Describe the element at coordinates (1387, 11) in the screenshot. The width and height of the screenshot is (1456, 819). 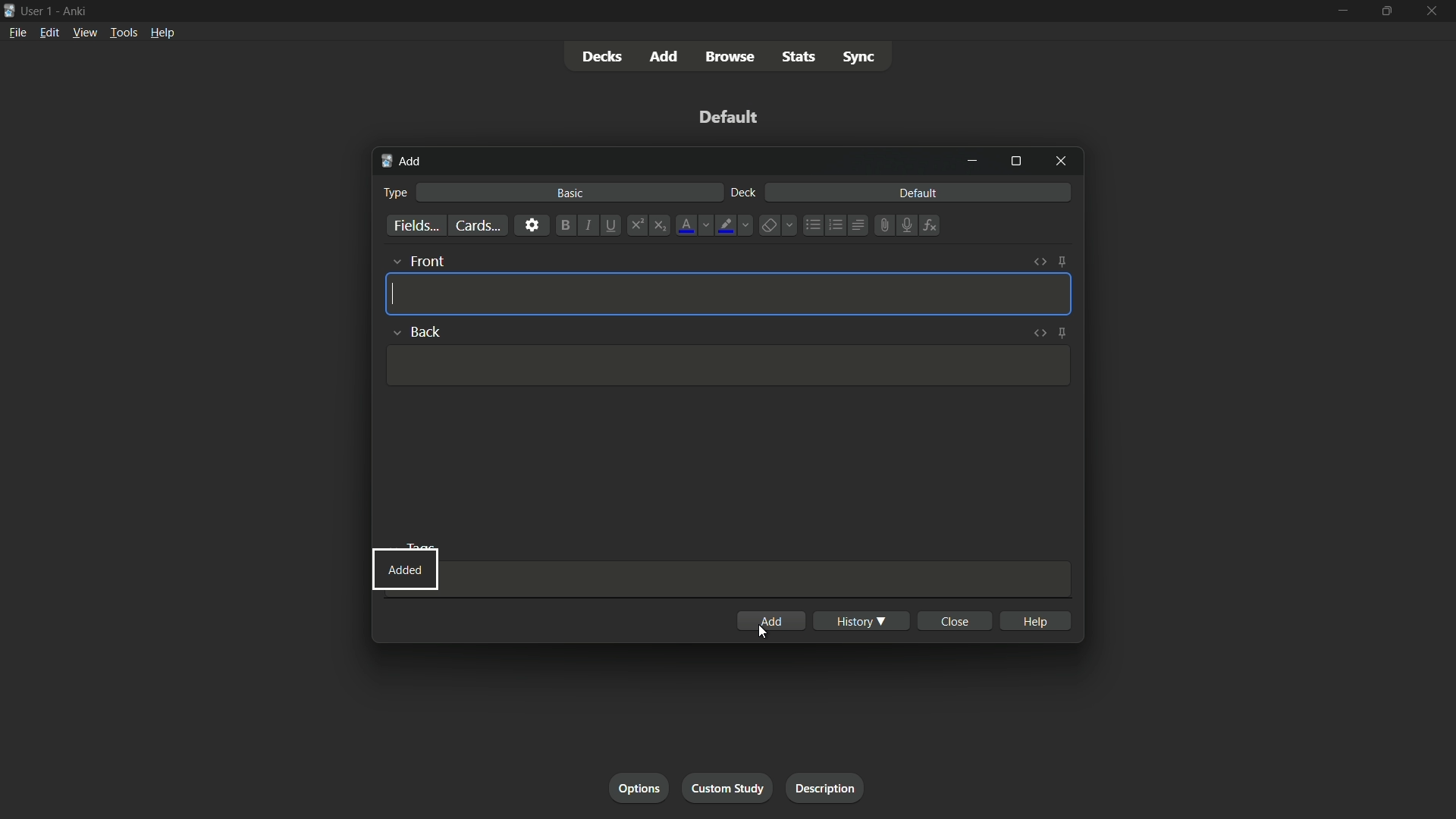
I see `maximize` at that location.